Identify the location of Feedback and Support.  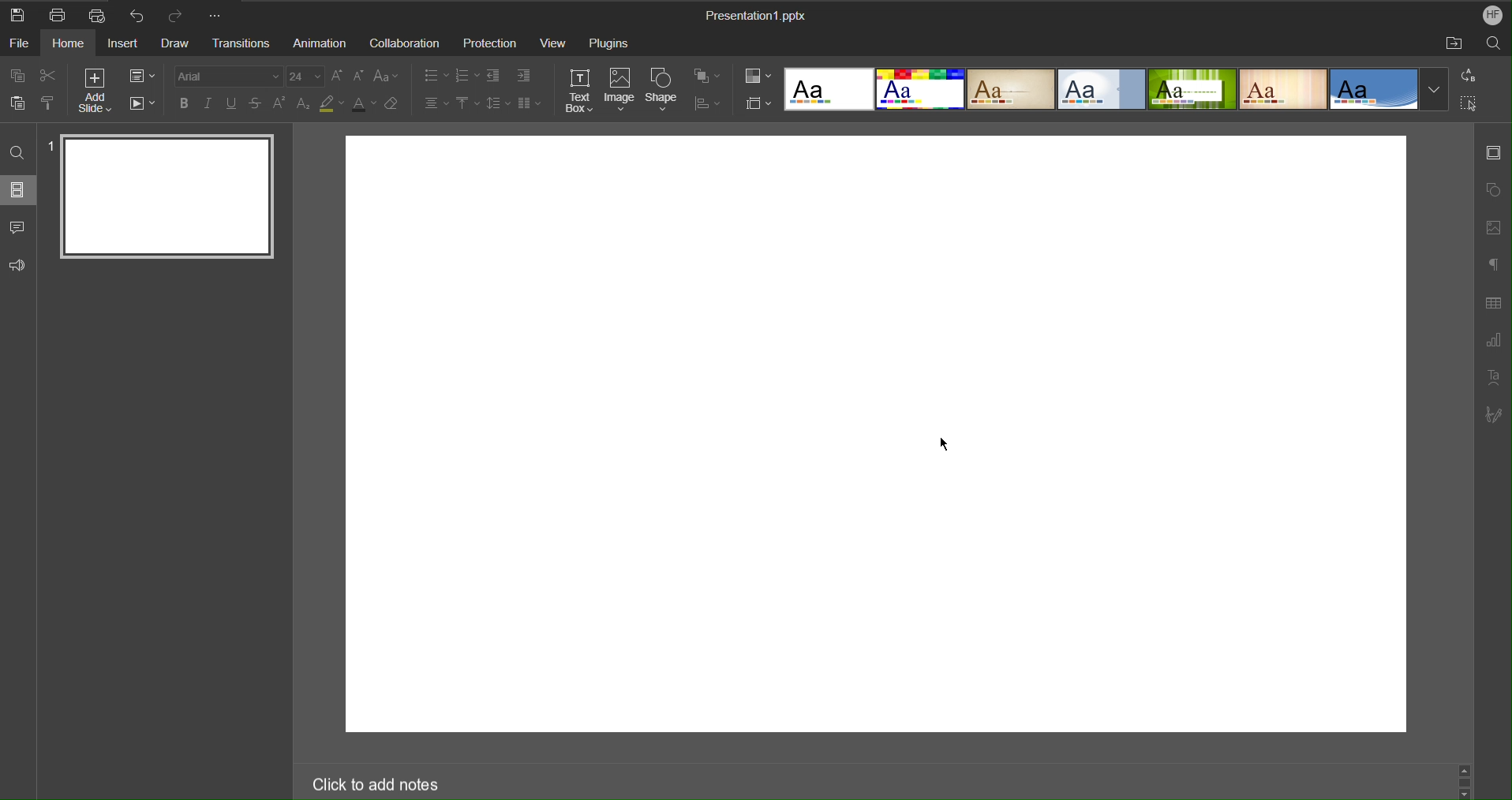
(19, 267).